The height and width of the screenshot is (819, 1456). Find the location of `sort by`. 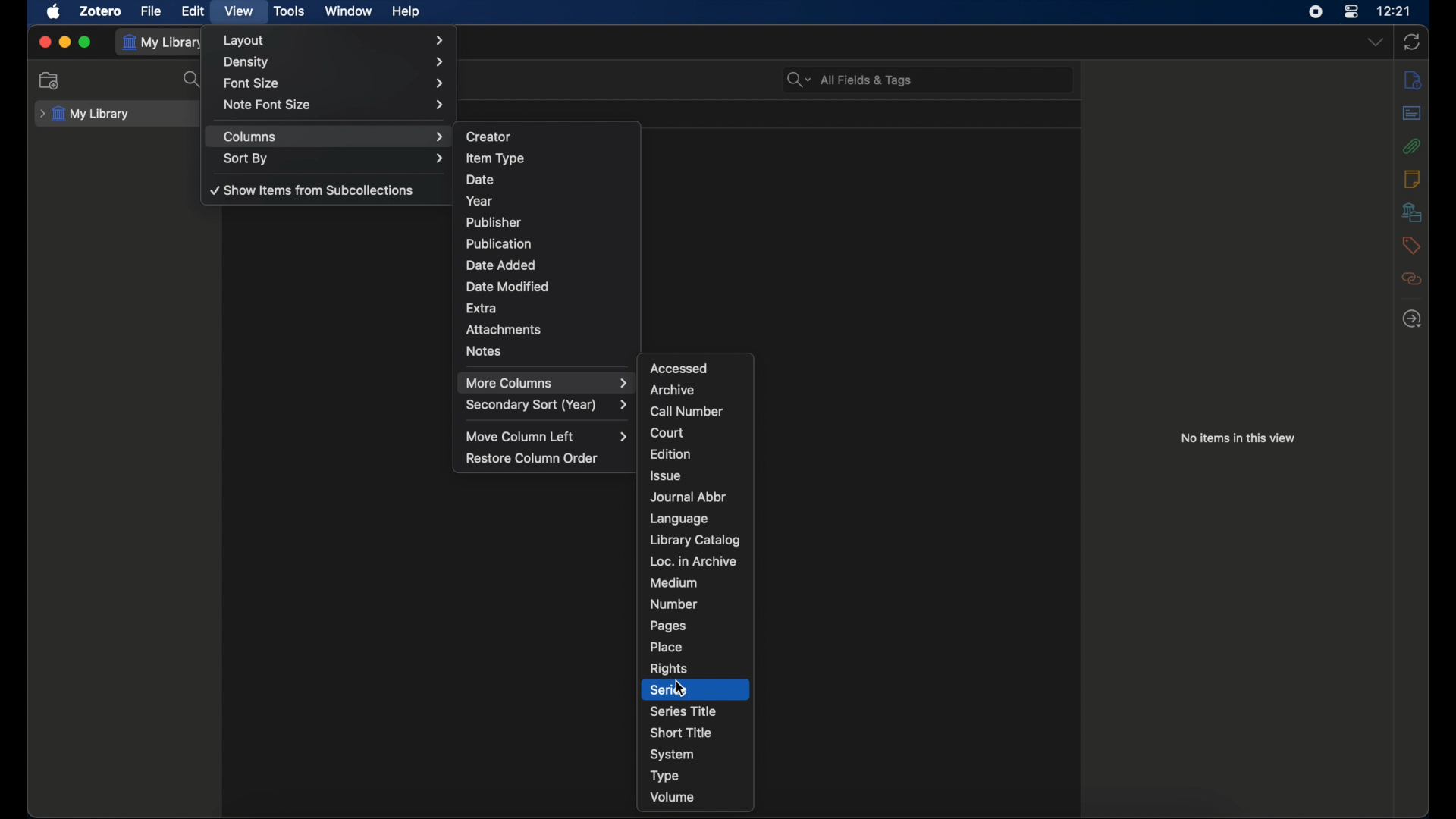

sort by is located at coordinates (336, 159).